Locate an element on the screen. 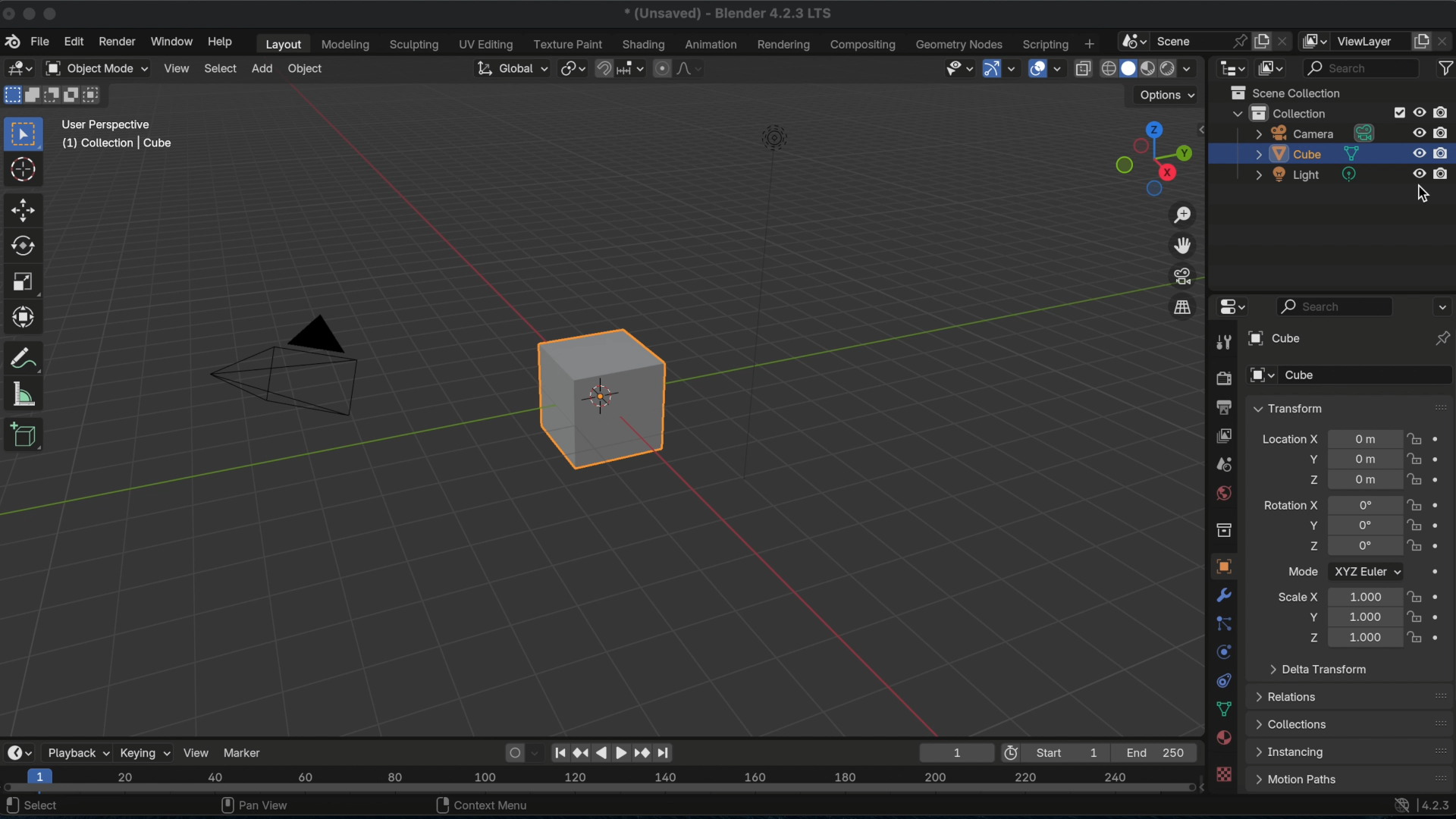  output is located at coordinates (1222, 463).